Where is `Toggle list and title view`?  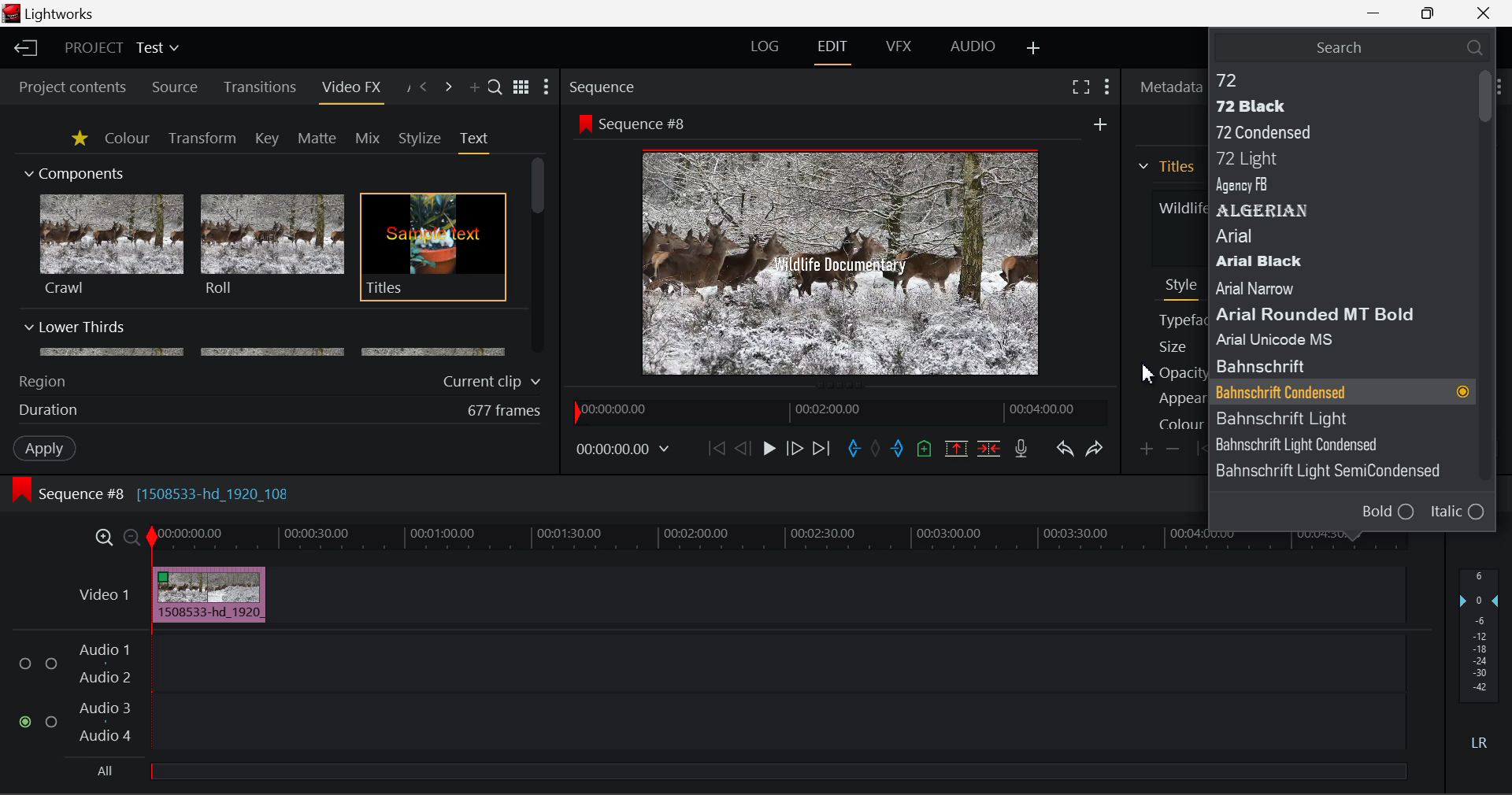
Toggle list and title view is located at coordinates (523, 87).